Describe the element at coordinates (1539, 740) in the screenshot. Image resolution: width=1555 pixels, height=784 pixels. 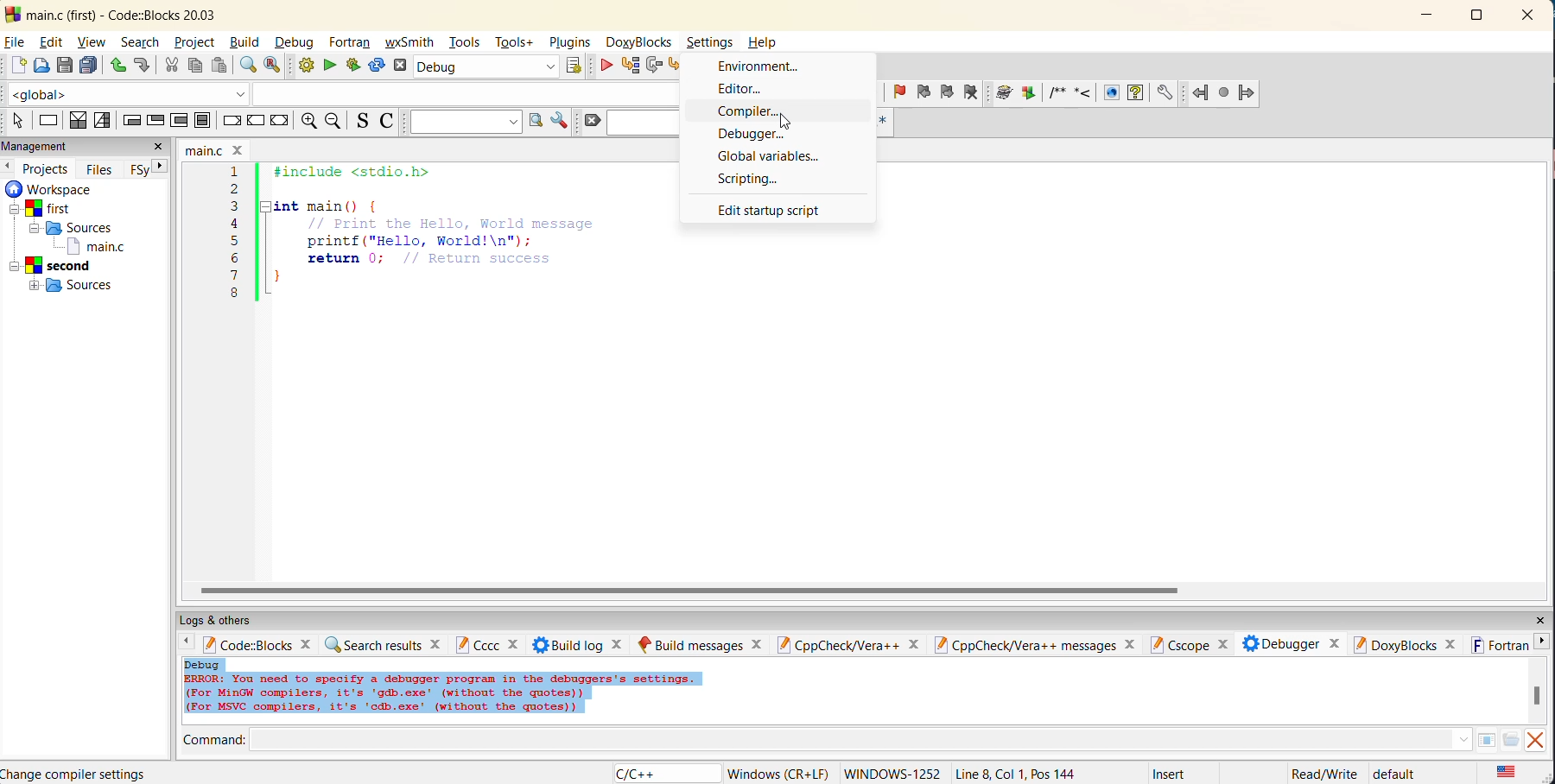
I see `close output window` at that location.